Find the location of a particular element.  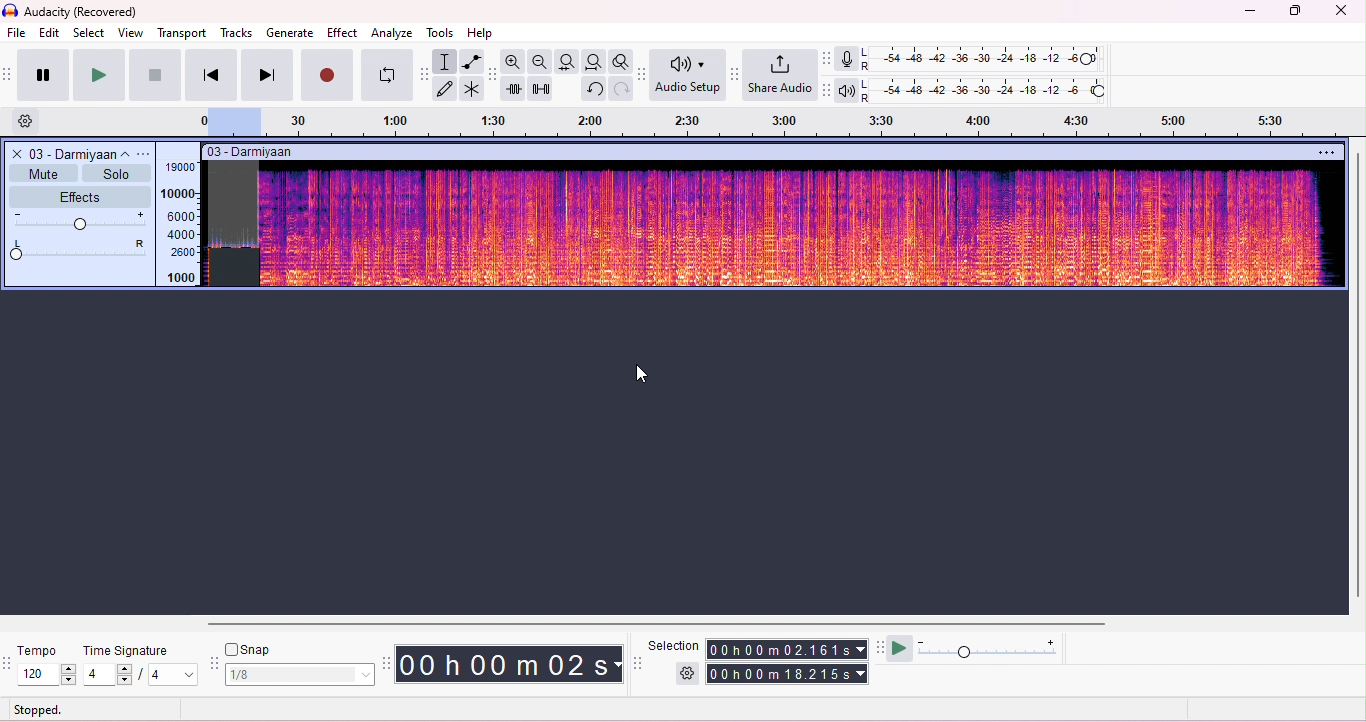

track title is located at coordinates (312, 153).